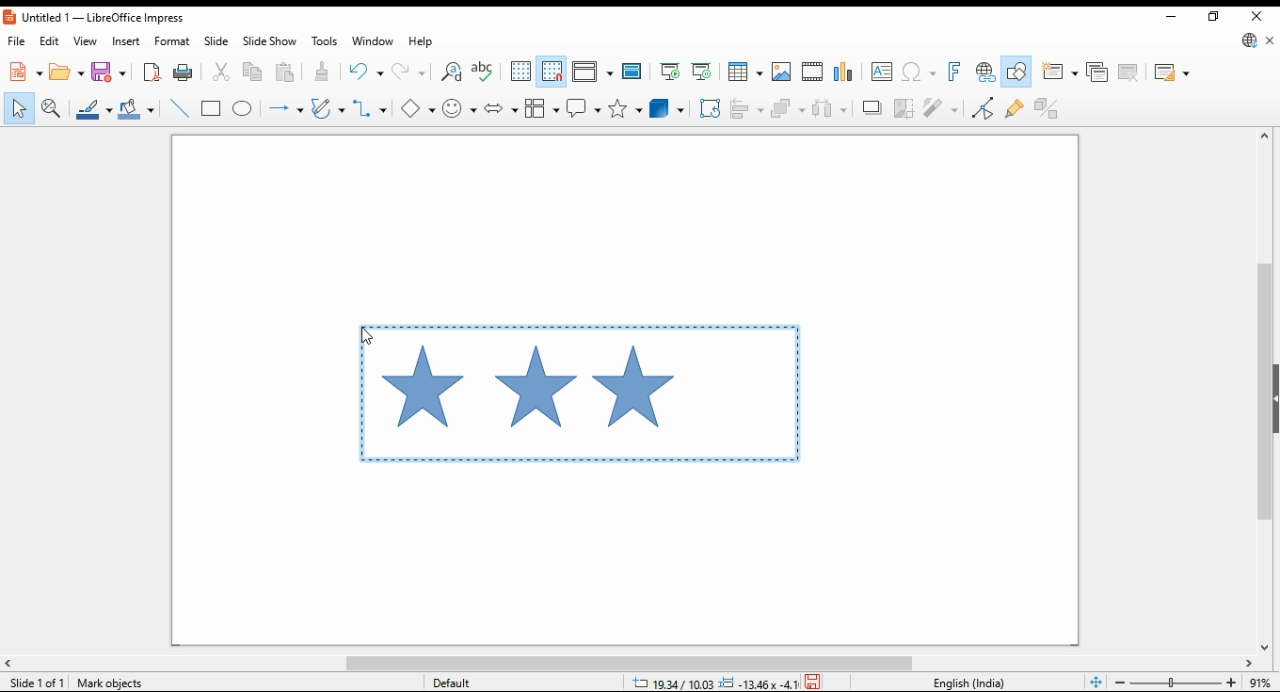  I want to click on zoom in/zoom out slider, so click(1176, 681).